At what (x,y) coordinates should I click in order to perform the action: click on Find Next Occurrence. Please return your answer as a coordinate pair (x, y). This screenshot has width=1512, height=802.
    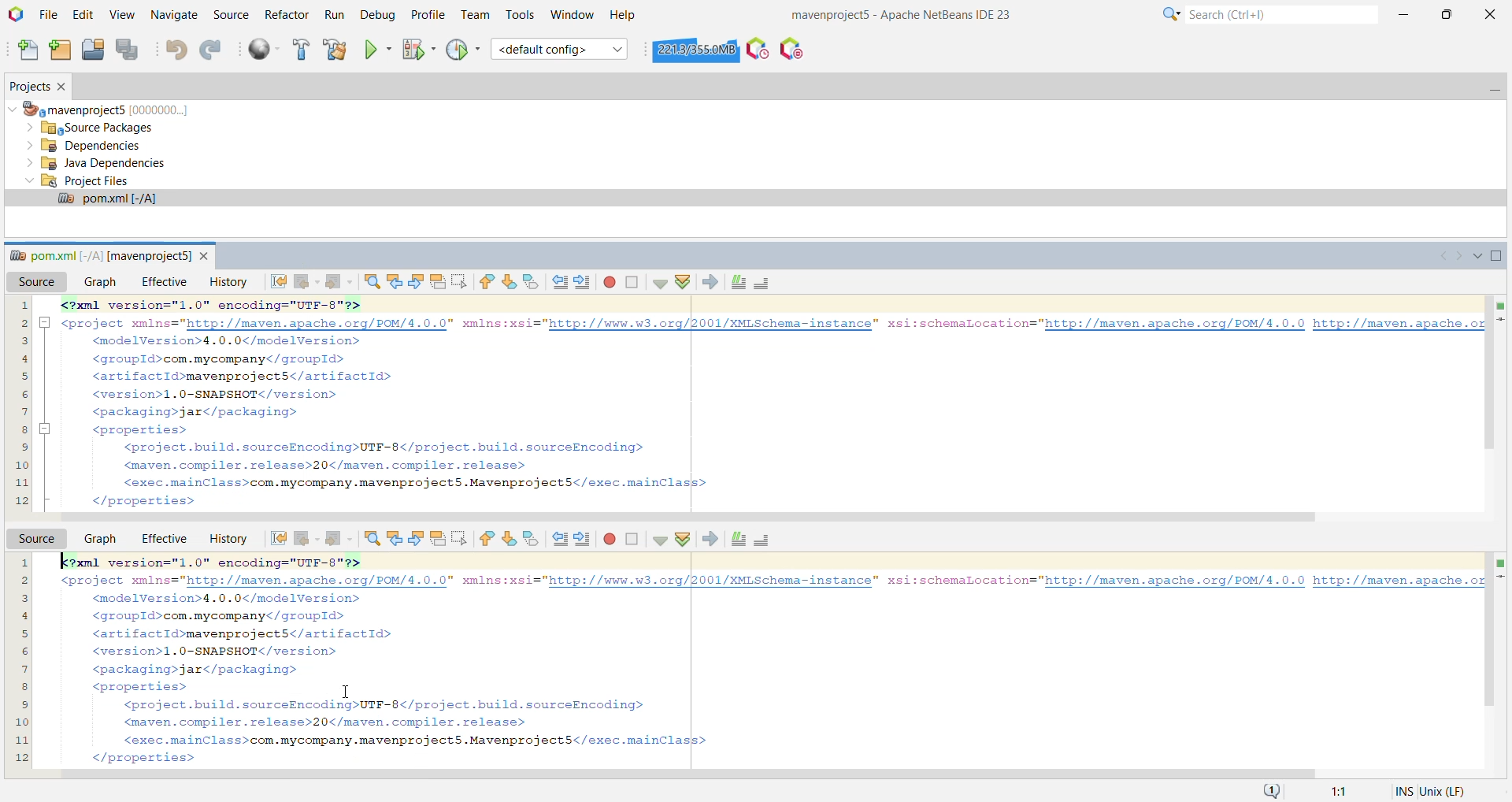
    Looking at the image, I should click on (416, 540).